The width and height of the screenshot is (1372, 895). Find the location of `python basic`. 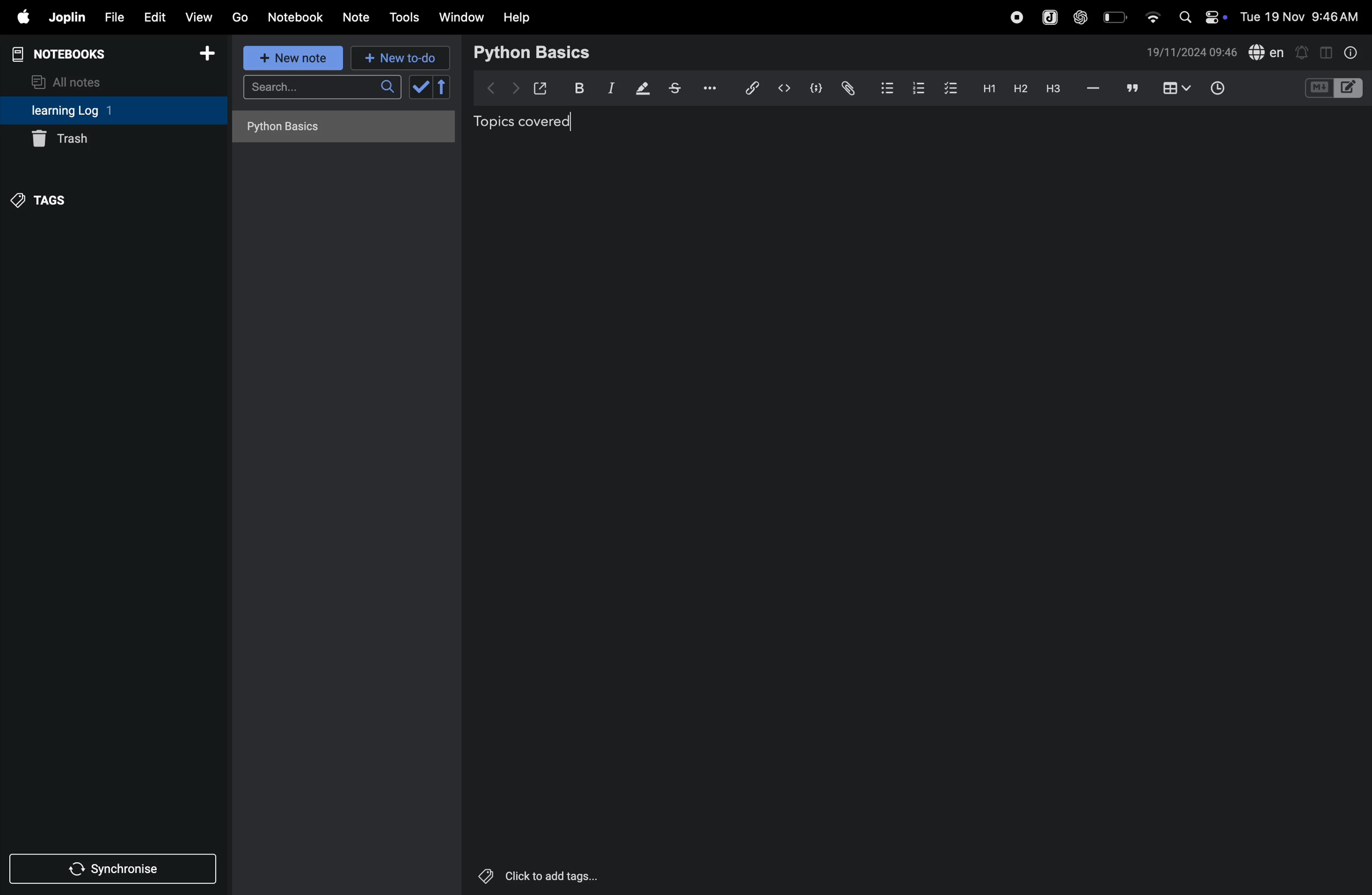

python basic is located at coordinates (534, 51).